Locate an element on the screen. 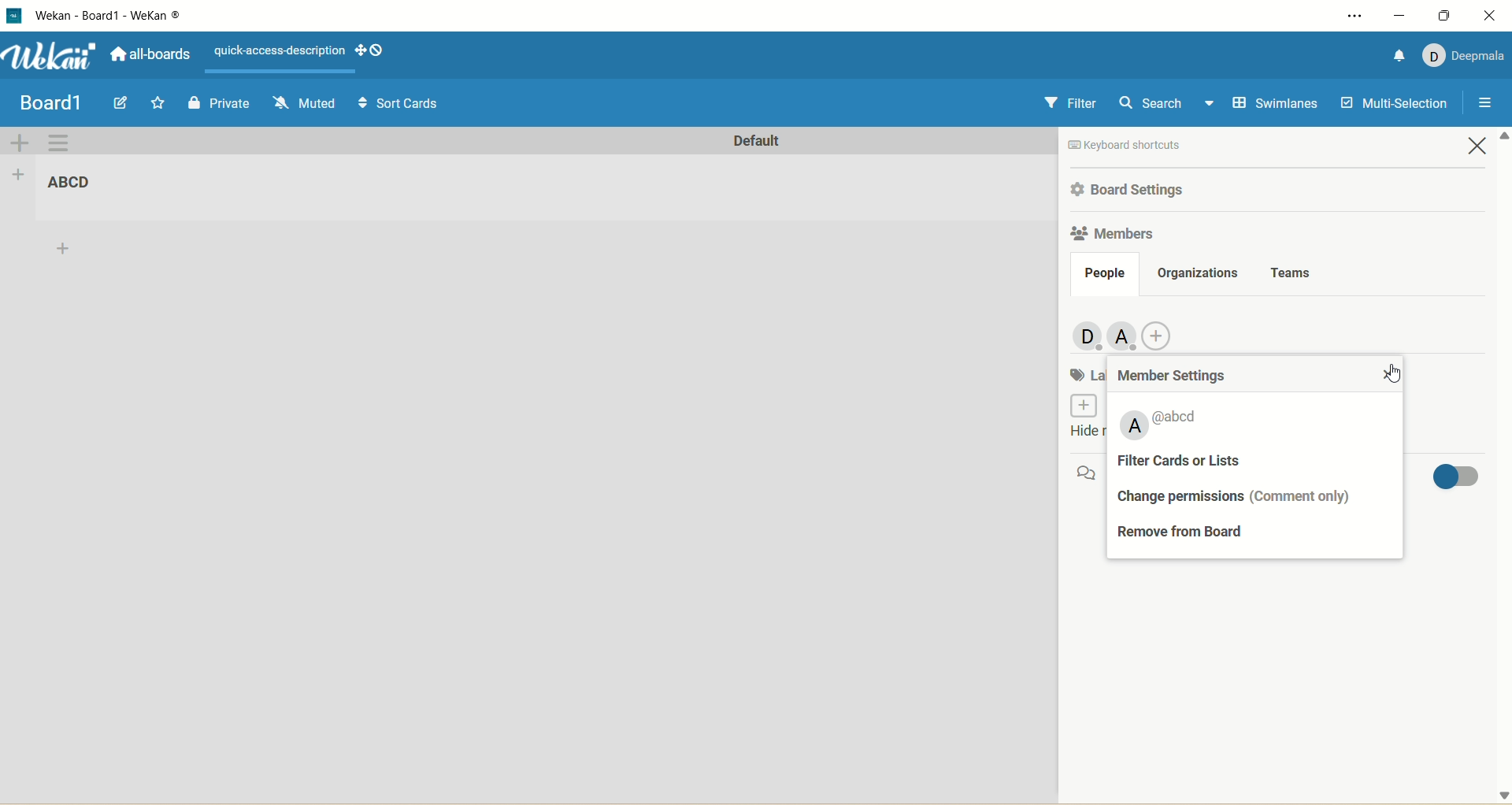 Image resolution: width=1512 pixels, height=805 pixels. comment is located at coordinates (1085, 473).